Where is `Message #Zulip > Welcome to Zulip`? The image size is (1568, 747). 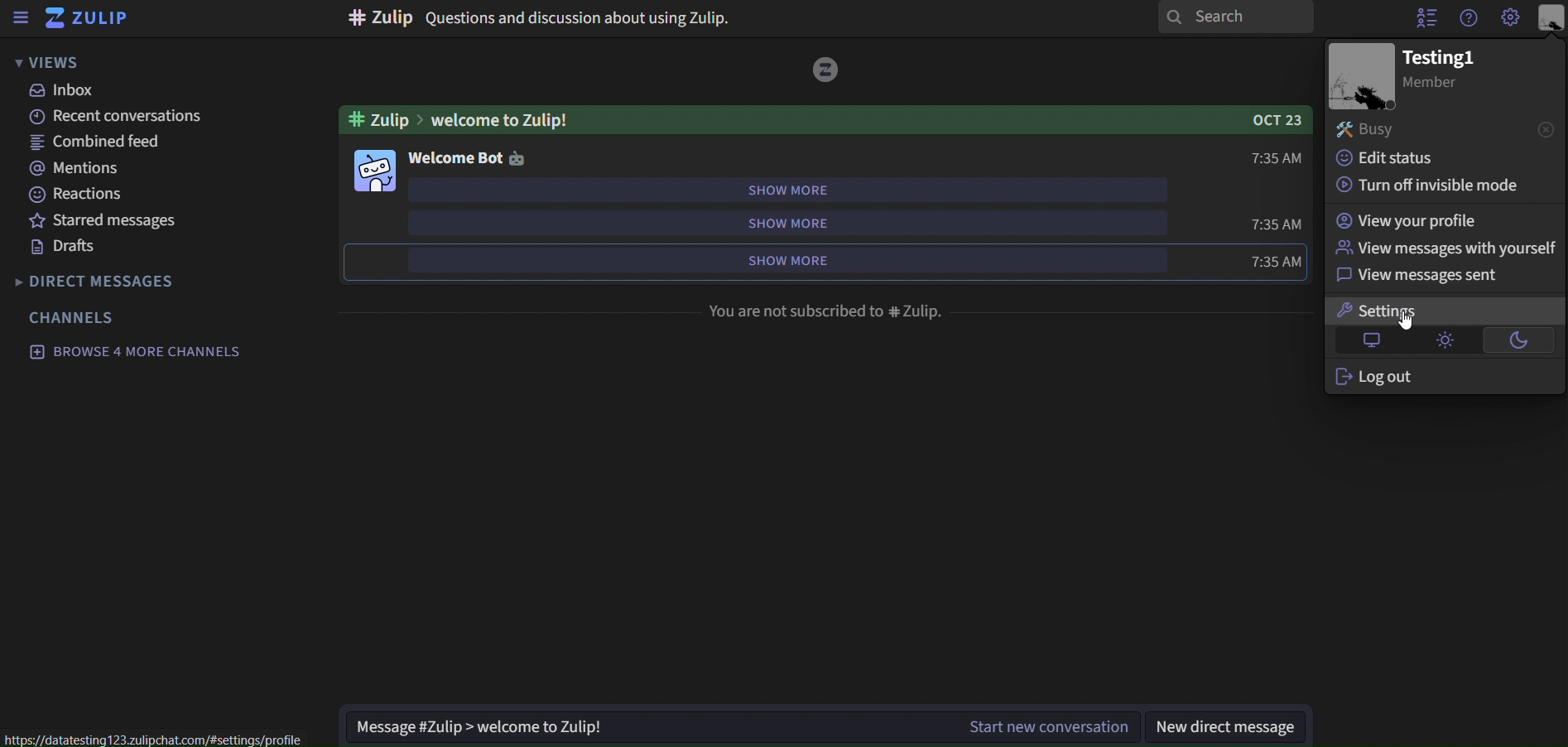 Message #Zulip > Welcome to Zulip is located at coordinates (647, 728).